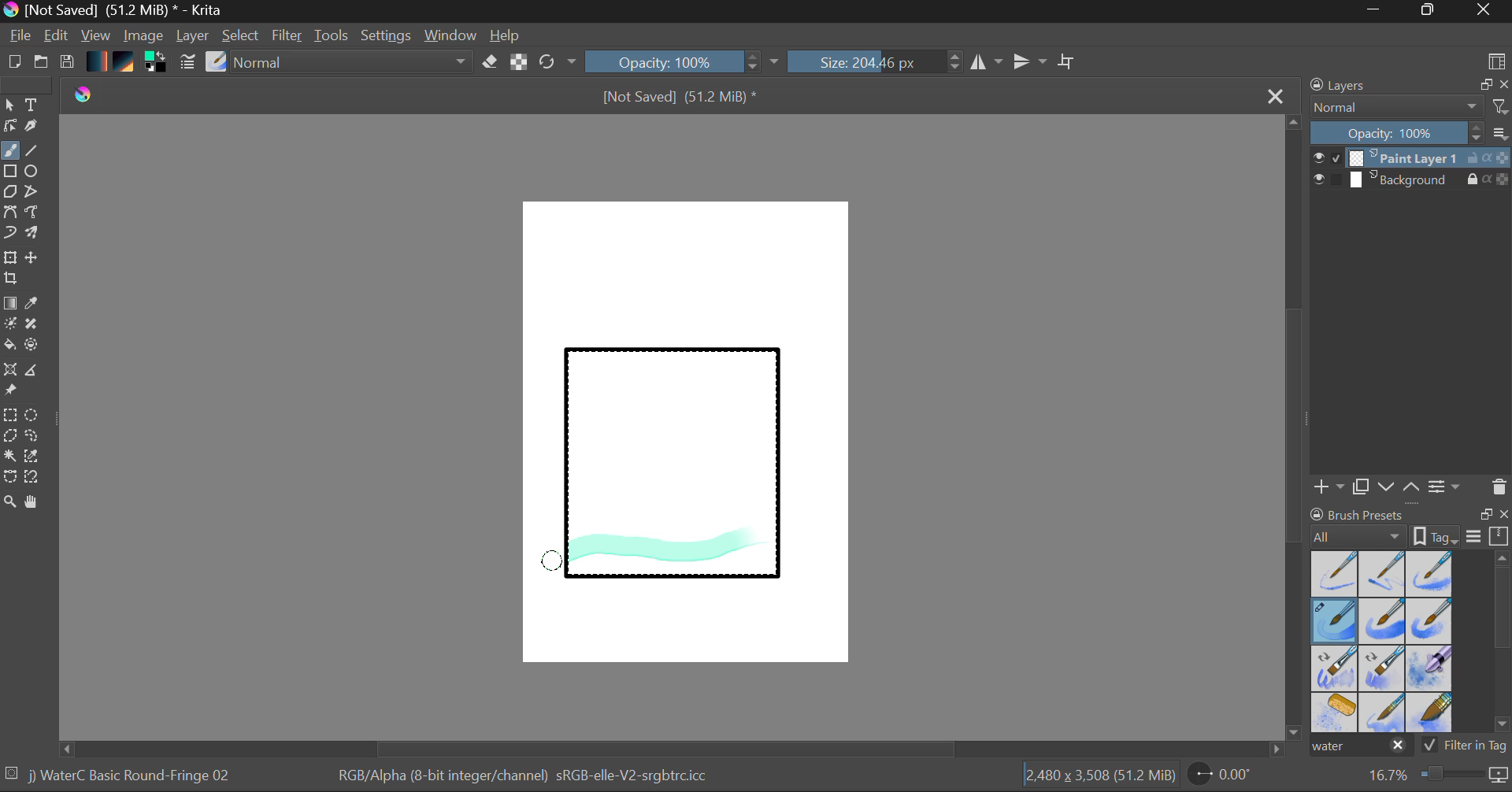 The image size is (1512, 792). Describe the element at coordinates (1033, 63) in the screenshot. I see `Horizontal Mirror Flip` at that location.